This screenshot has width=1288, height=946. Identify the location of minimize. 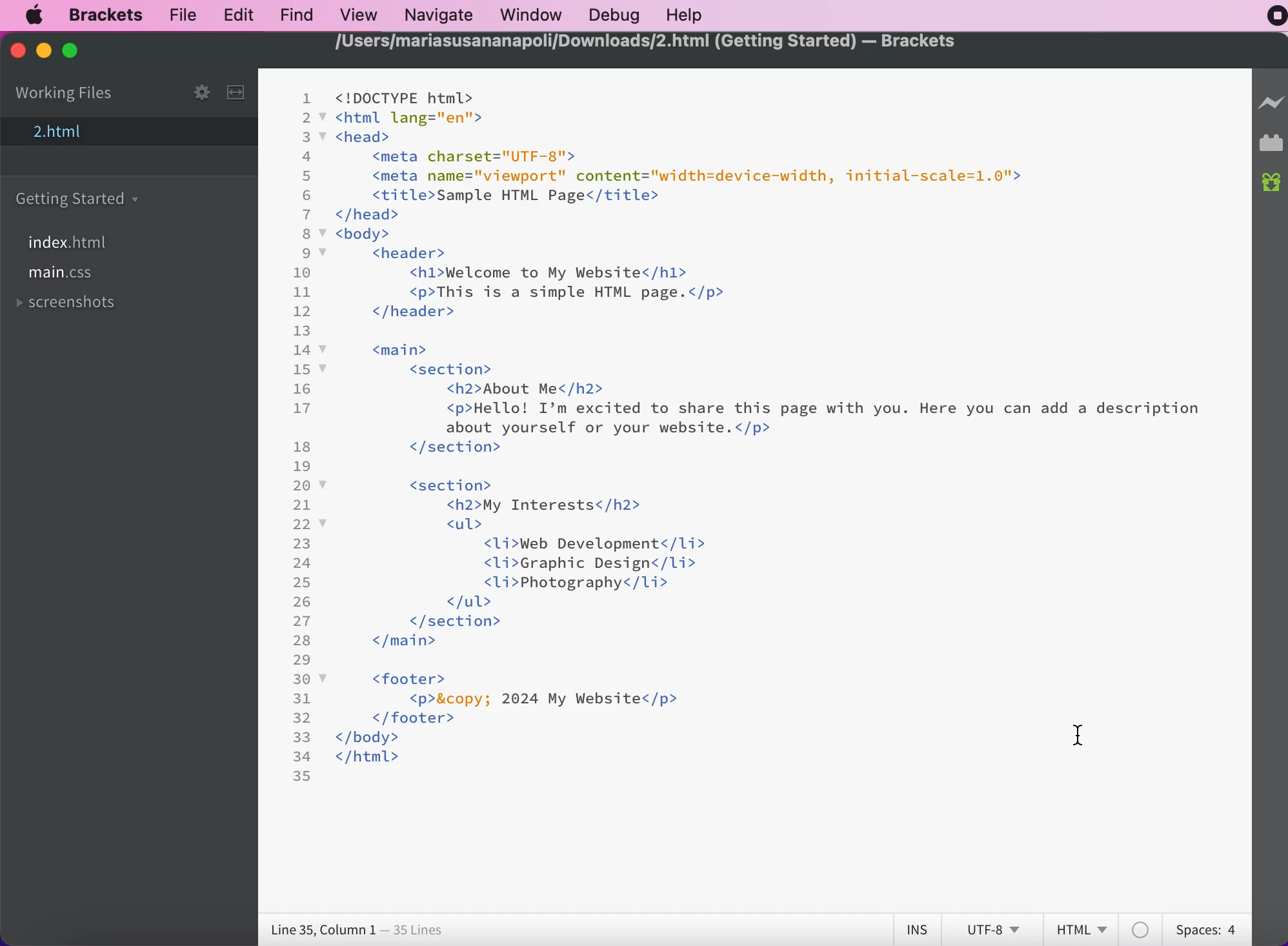
(45, 51).